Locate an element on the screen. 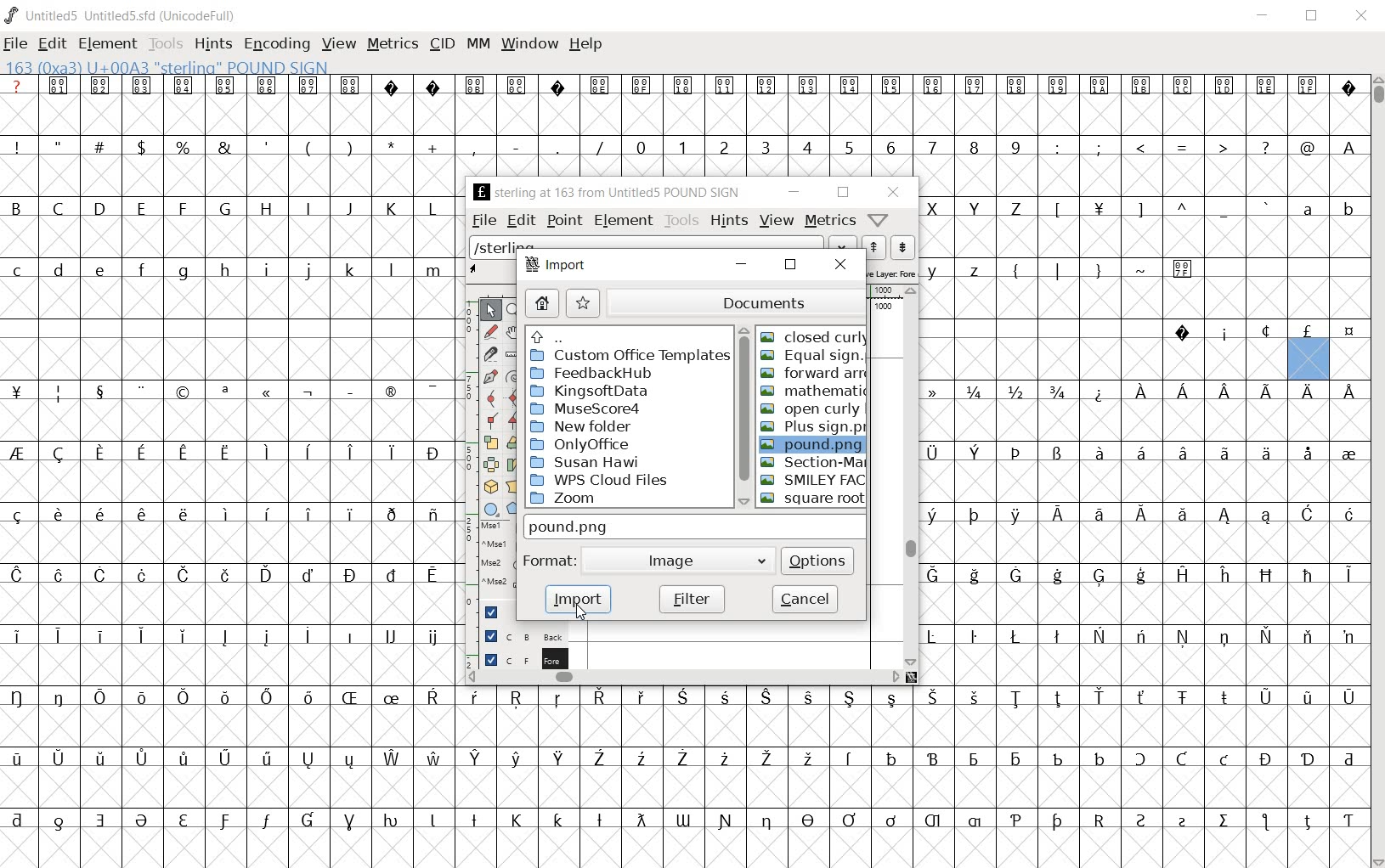 This screenshot has width=1385, height=868. Symbol is located at coordinates (850, 699).